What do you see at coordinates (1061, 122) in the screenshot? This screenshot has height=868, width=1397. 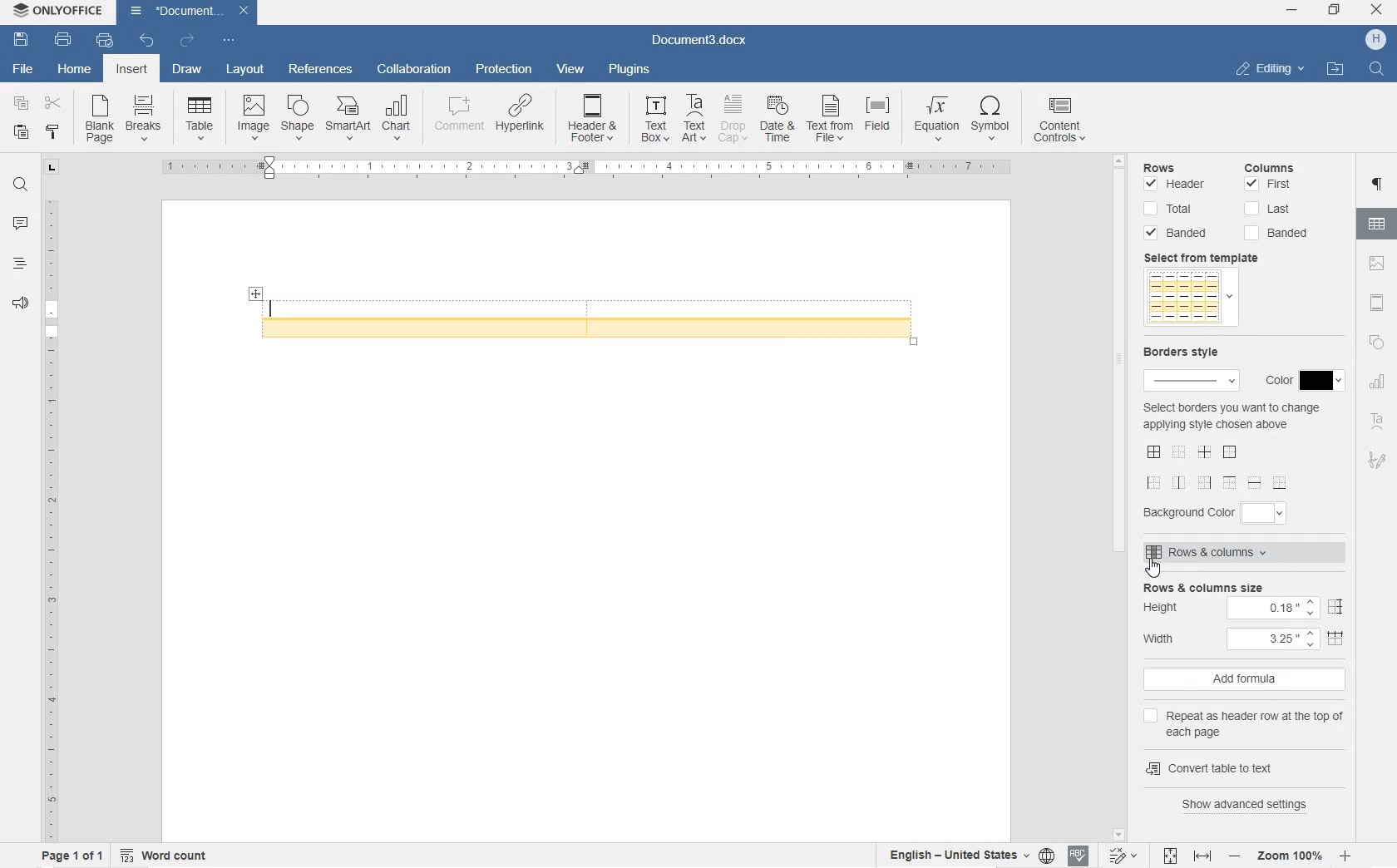 I see `CONTENT CONTROLS` at bounding box center [1061, 122].